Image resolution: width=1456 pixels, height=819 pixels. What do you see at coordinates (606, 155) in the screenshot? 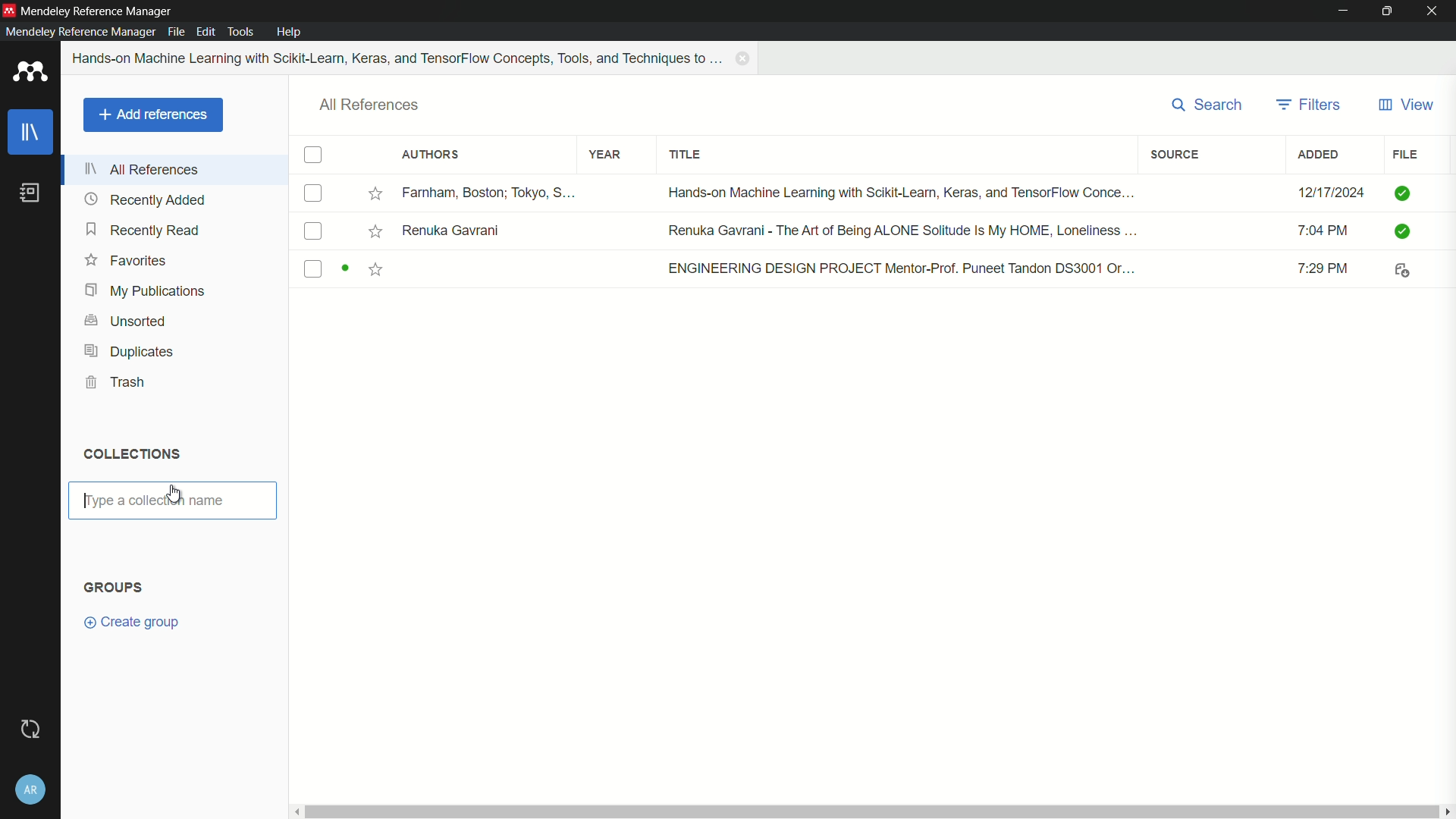
I see `year` at bounding box center [606, 155].